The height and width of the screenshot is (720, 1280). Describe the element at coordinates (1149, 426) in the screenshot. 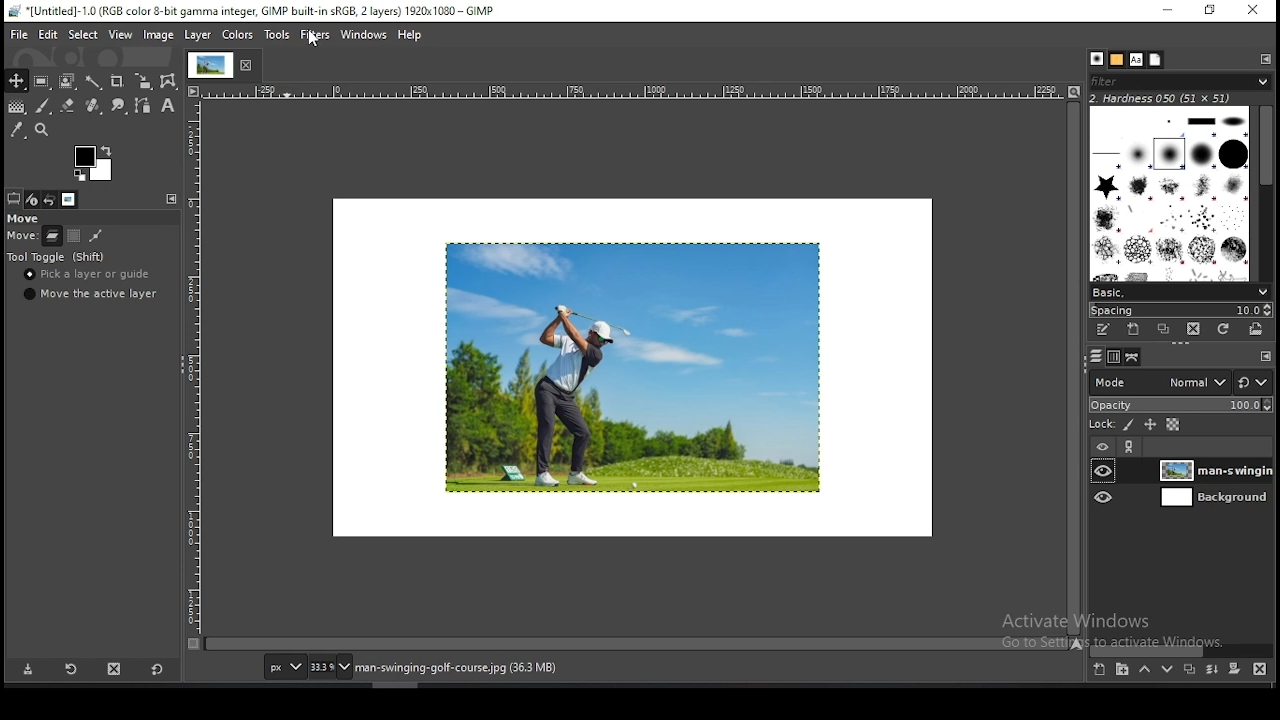

I see `lock position and size` at that location.